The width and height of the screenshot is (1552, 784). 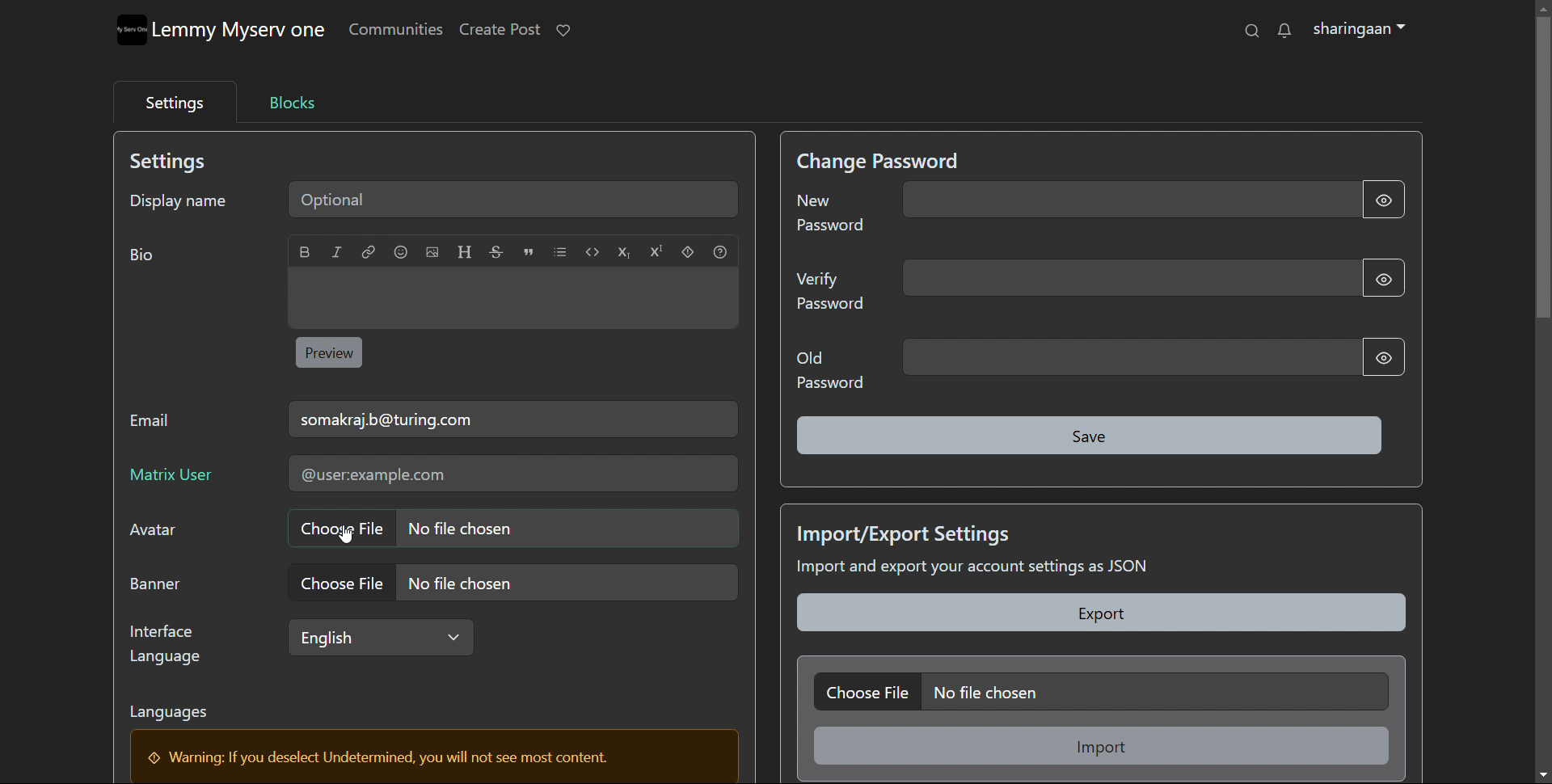 I want to click on spoiler, so click(x=689, y=251).